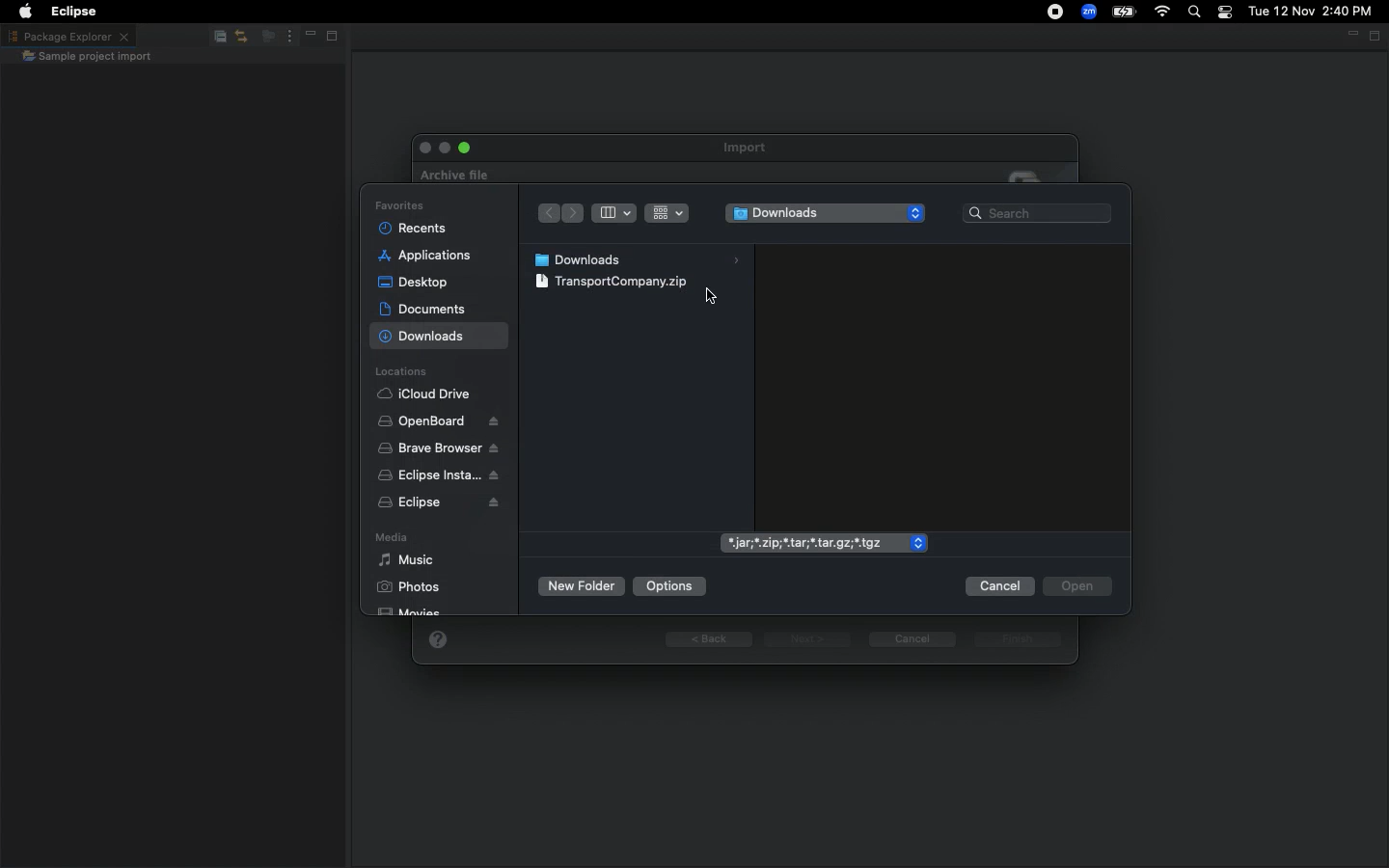 This screenshot has height=868, width=1389. I want to click on Recents, so click(412, 229).